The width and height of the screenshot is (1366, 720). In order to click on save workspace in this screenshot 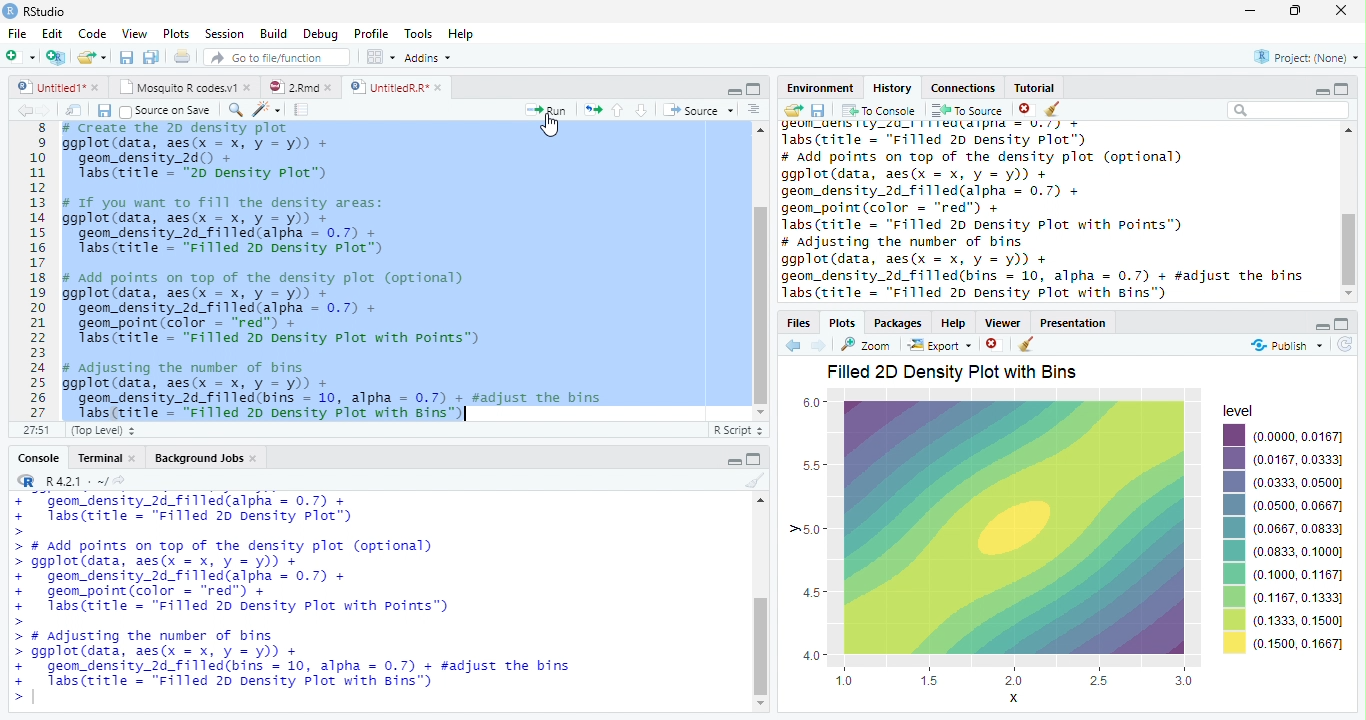, I will do `click(820, 111)`.